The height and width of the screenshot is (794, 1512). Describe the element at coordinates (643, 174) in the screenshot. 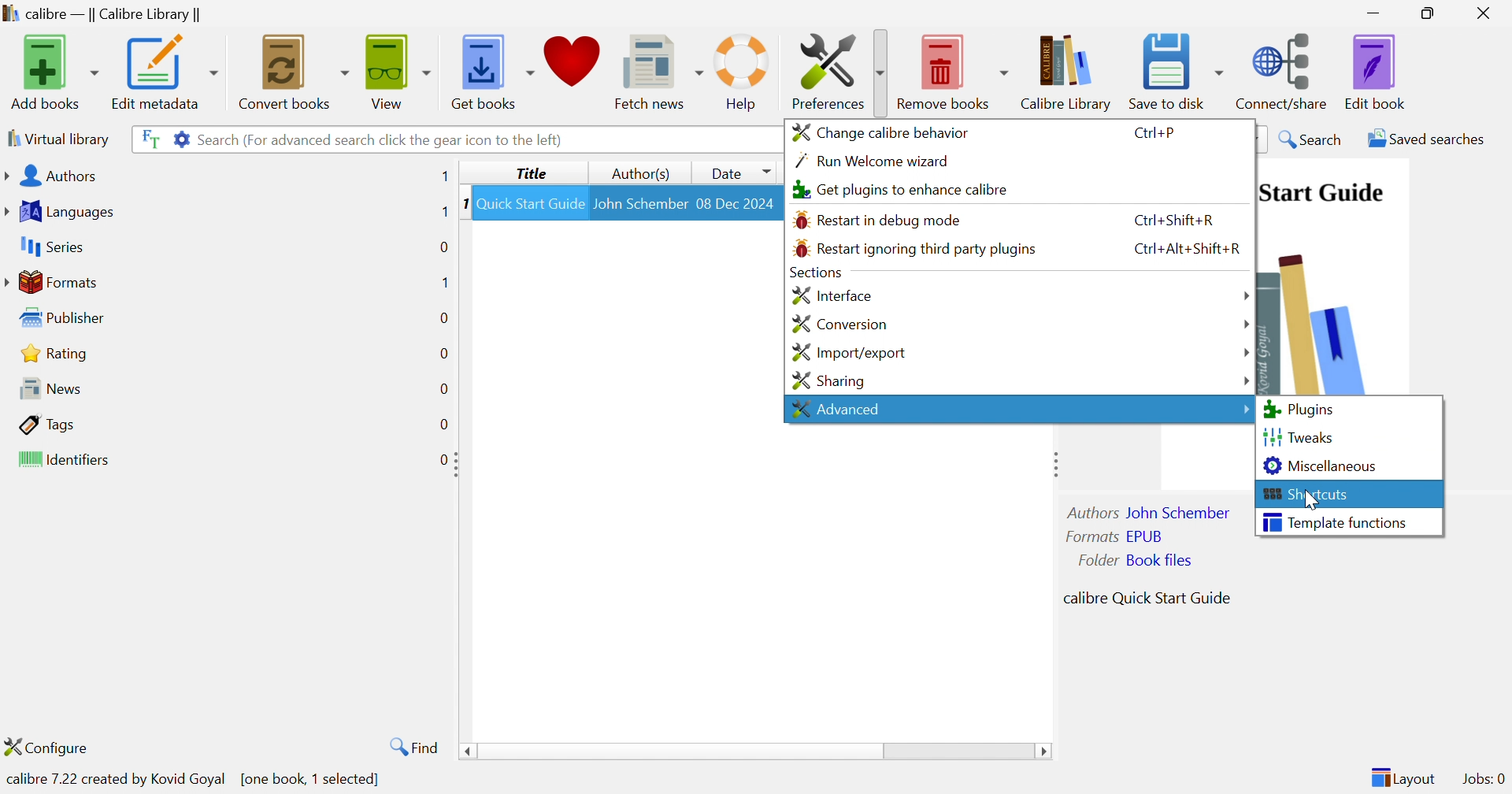

I see `Author(s)` at that location.